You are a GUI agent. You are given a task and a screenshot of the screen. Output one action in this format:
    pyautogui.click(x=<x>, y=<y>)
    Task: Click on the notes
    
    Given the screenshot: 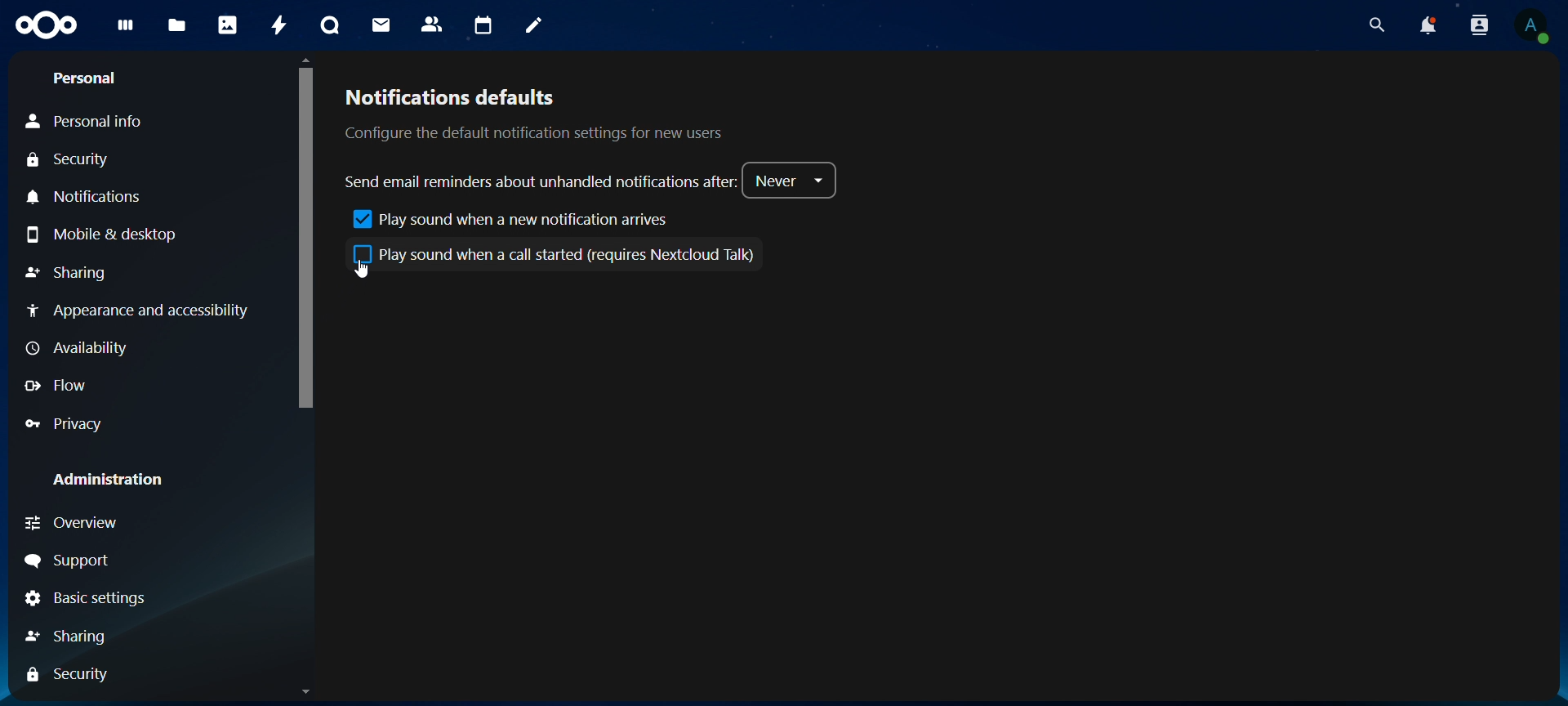 What is the action you would take?
    pyautogui.click(x=533, y=26)
    